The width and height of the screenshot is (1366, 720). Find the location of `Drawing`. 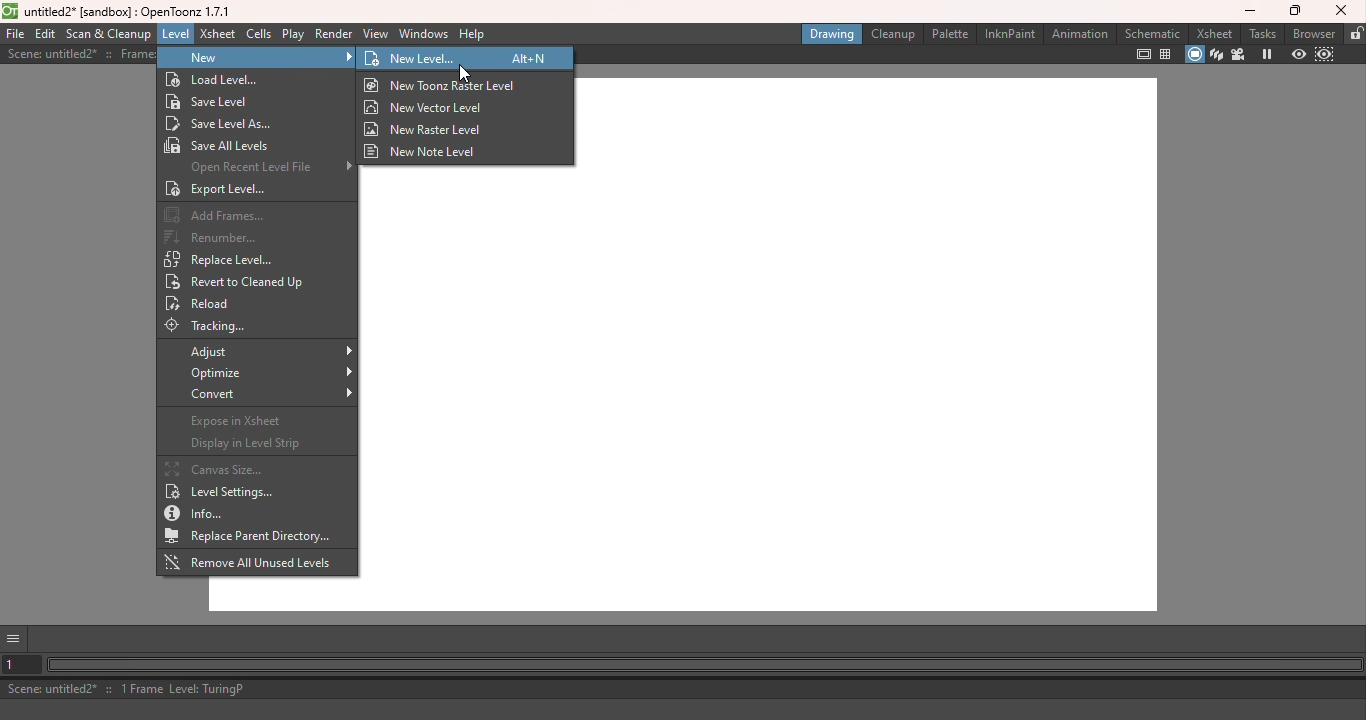

Drawing is located at coordinates (832, 34).